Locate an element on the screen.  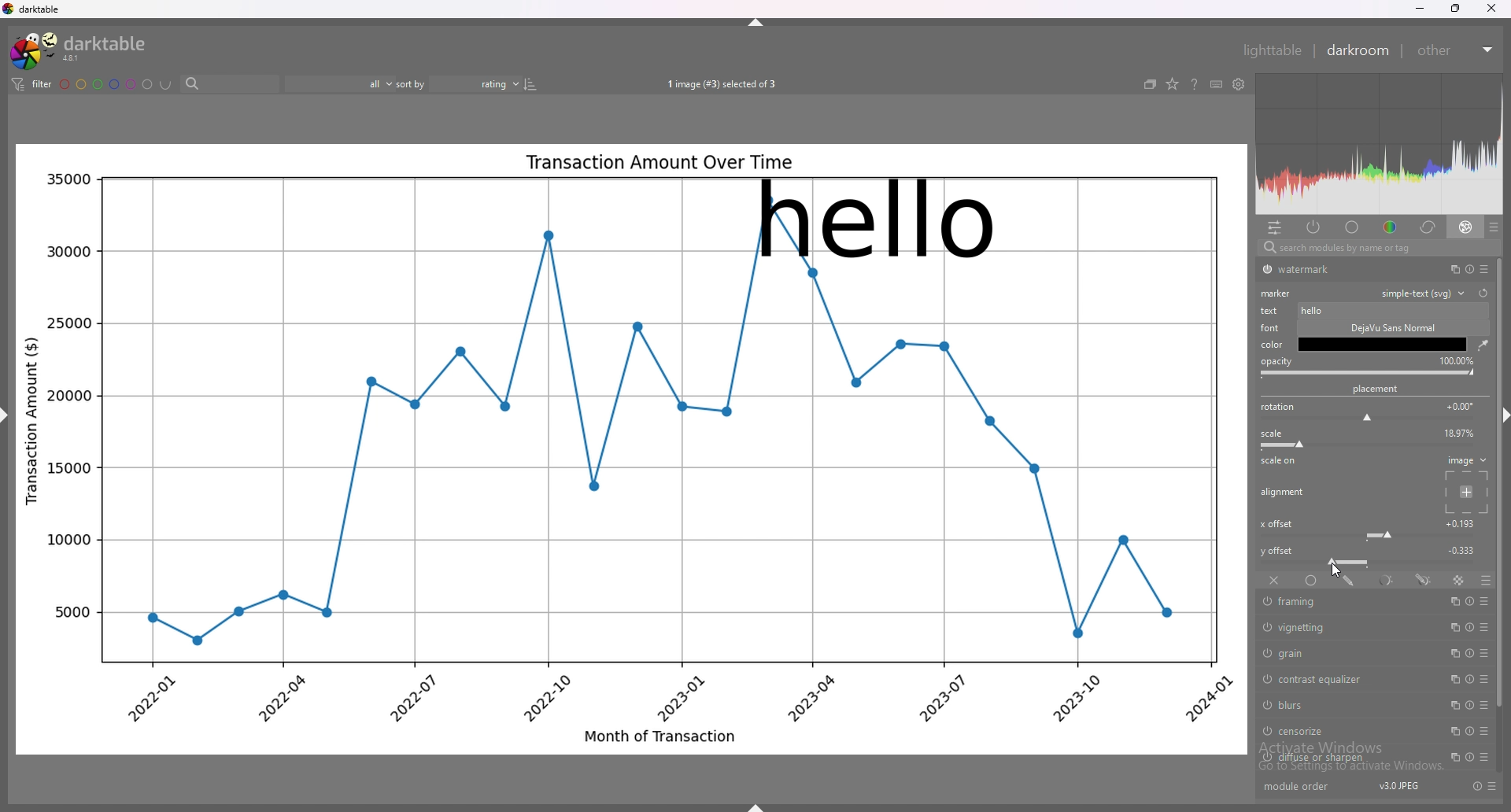
base is located at coordinates (1352, 227).